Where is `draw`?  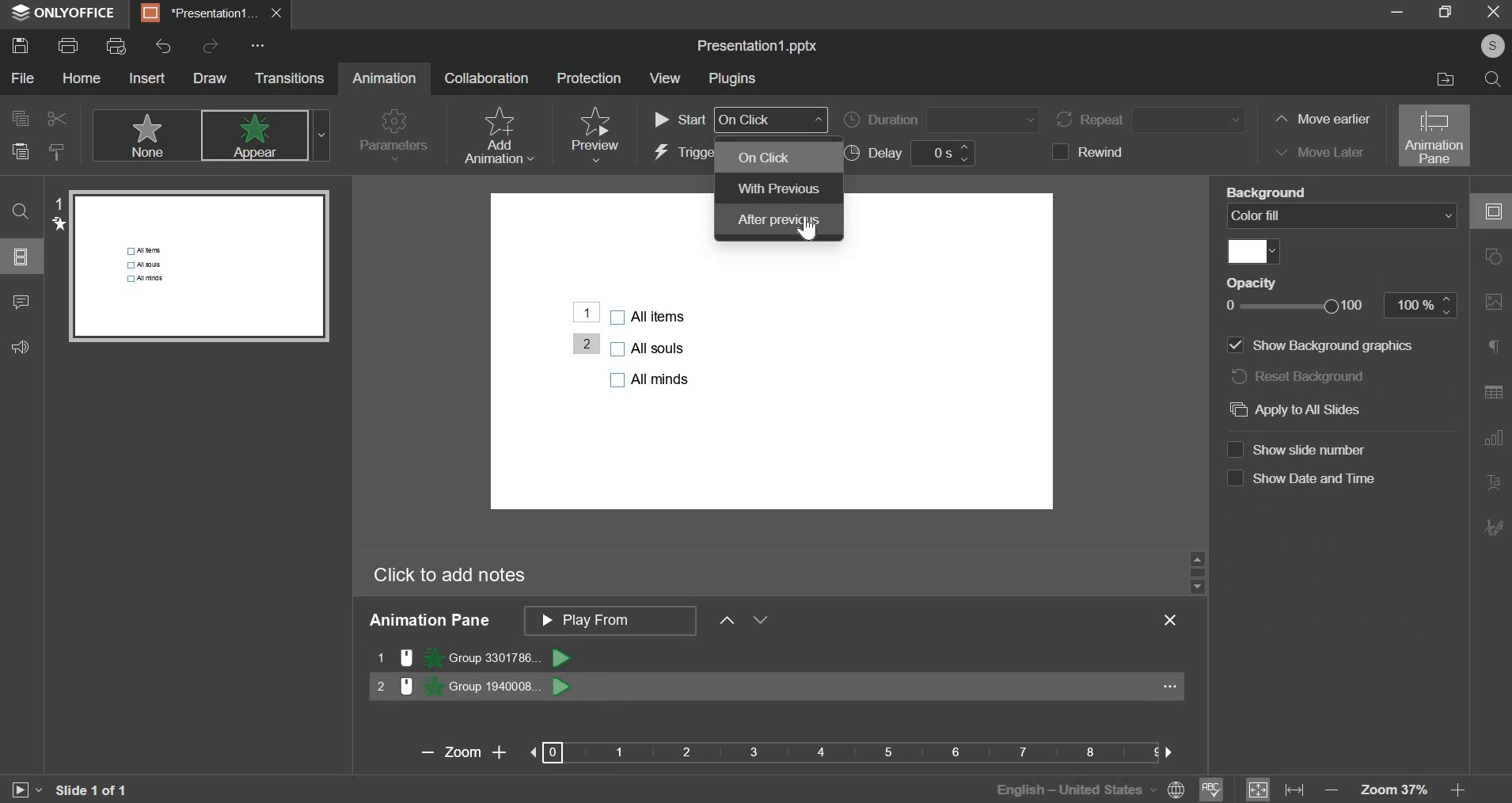
draw is located at coordinates (210, 78).